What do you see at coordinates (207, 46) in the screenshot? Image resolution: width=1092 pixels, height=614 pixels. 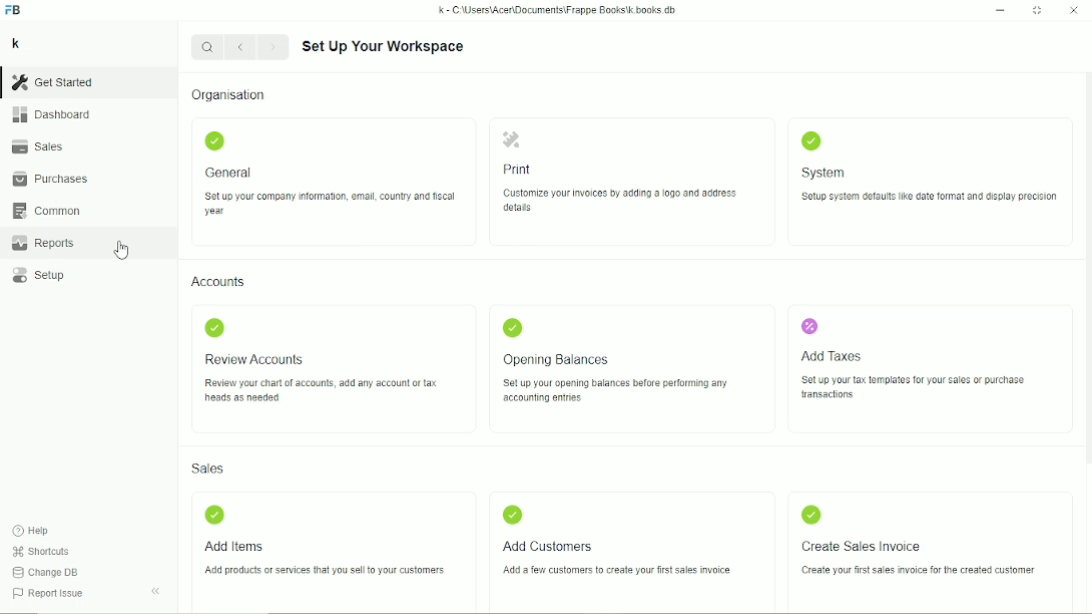 I see `Search` at bounding box center [207, 46].